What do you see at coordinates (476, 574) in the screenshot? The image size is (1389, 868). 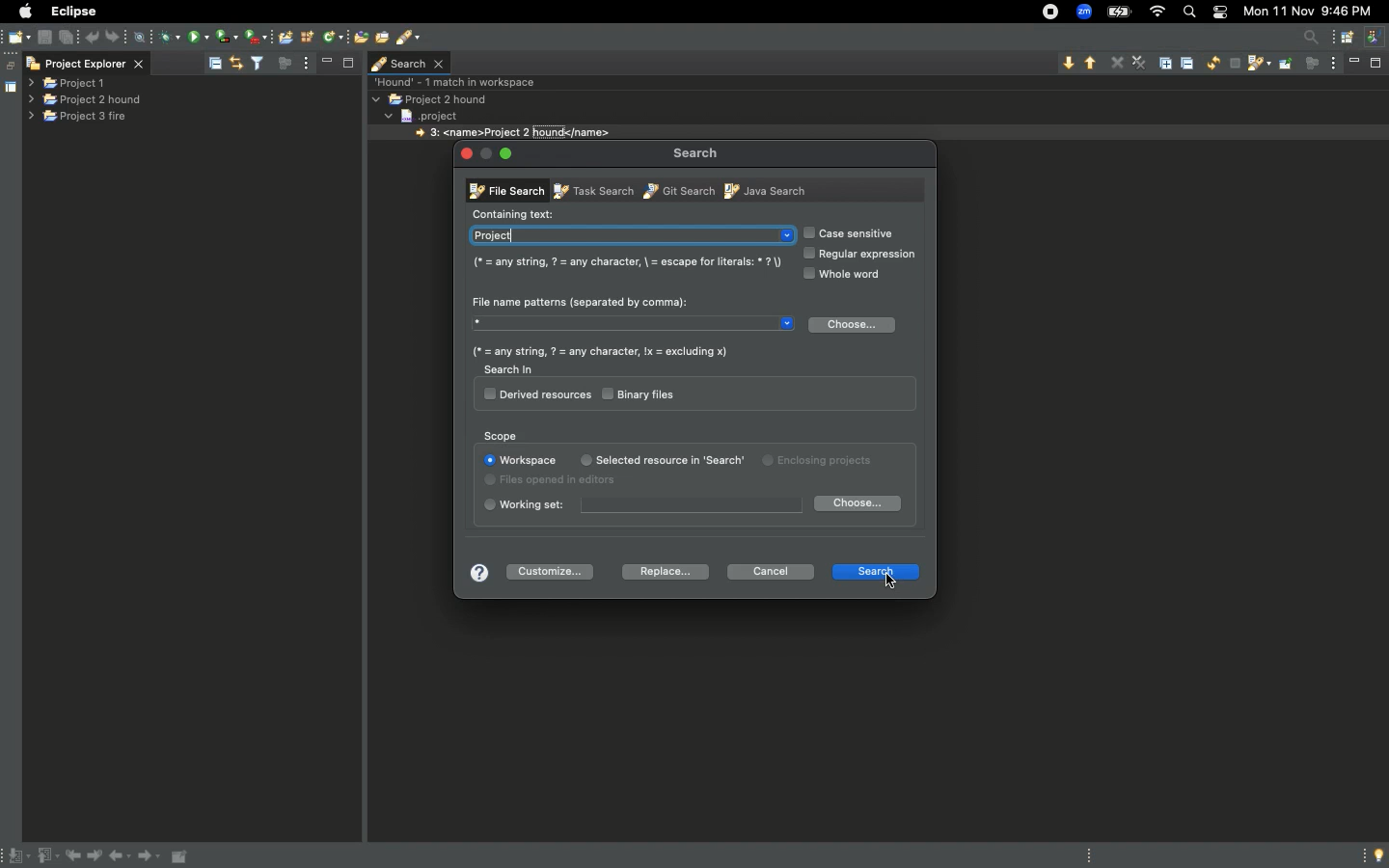 I see `Help` at bounding box center [476, 574].